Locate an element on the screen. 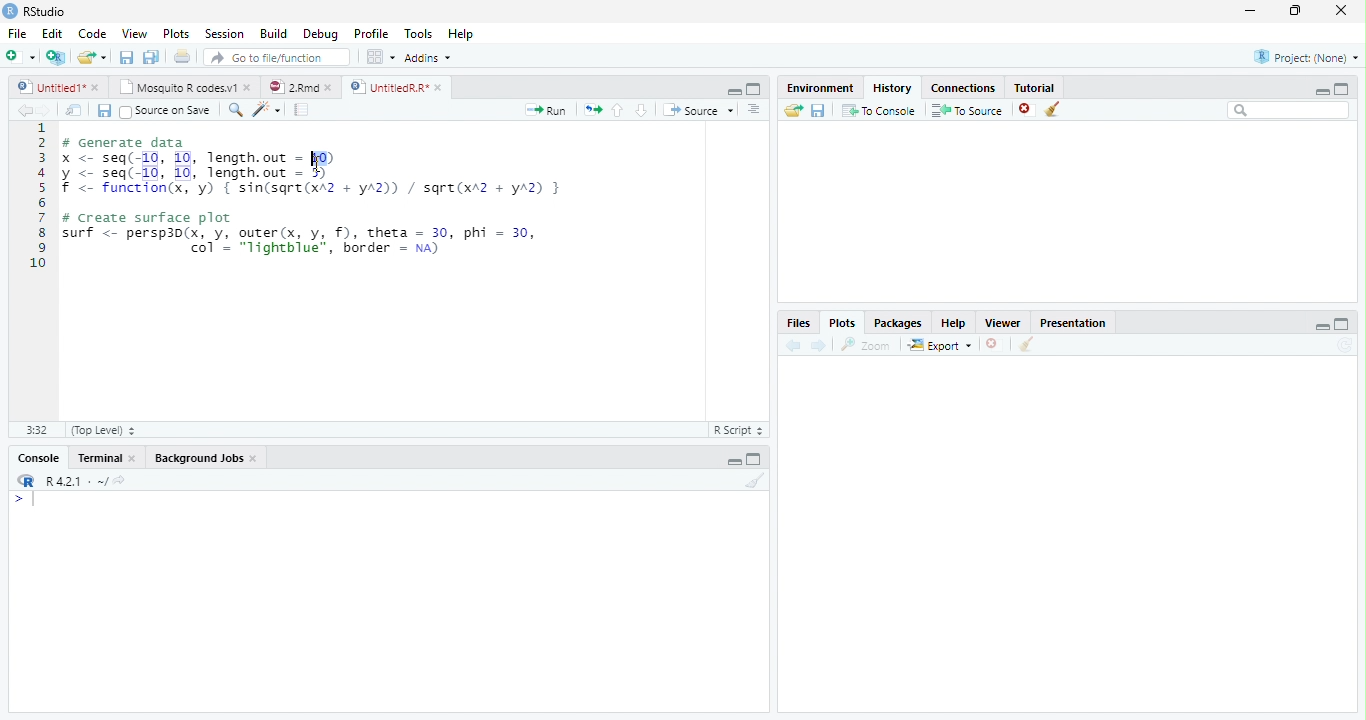  RStudio is located at coordinates (34, 11).